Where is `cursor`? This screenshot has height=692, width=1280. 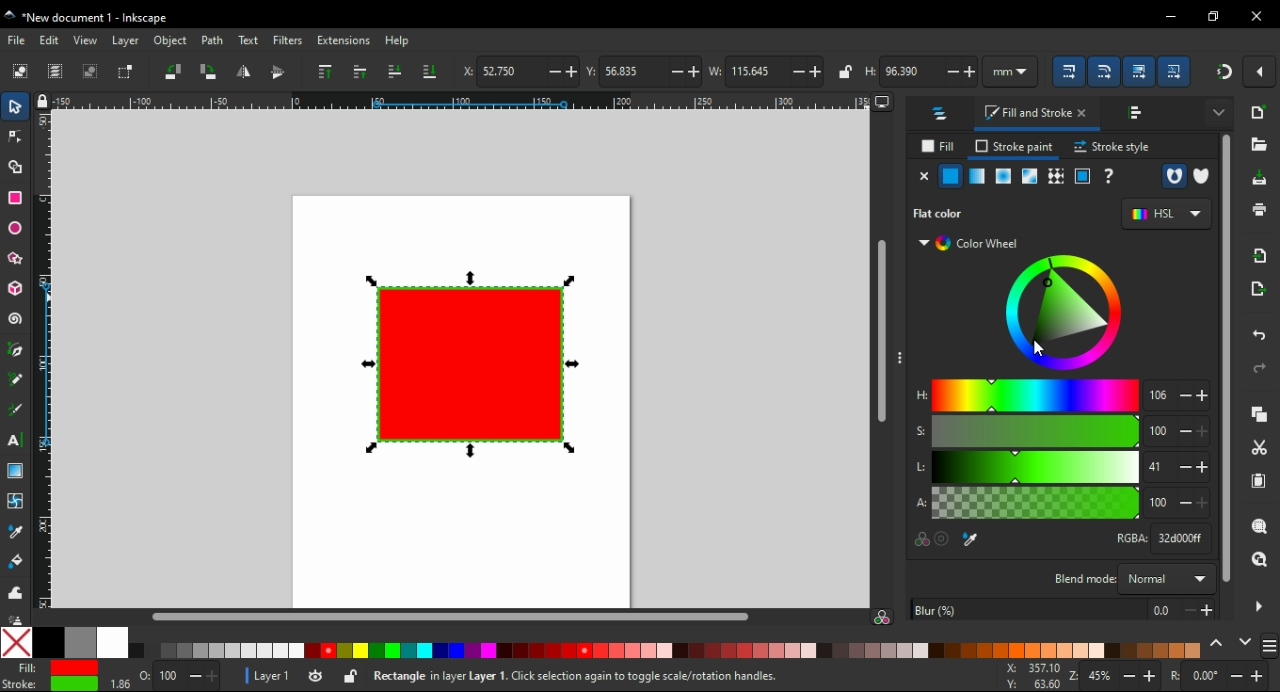
cursor is located at coordinates (1034, 349).